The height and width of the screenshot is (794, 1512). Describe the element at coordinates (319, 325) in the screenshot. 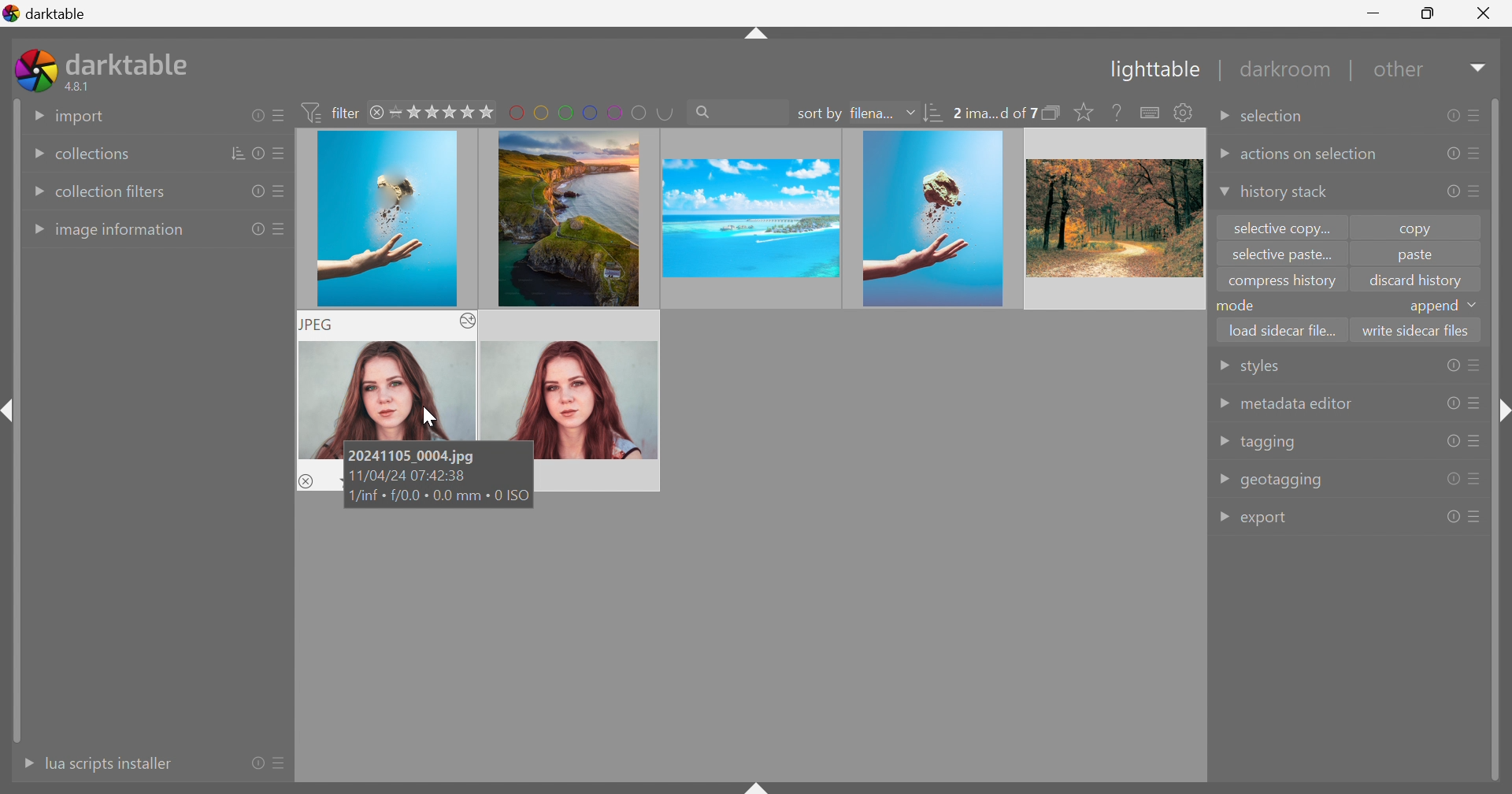

I see `JPEG` at that location.